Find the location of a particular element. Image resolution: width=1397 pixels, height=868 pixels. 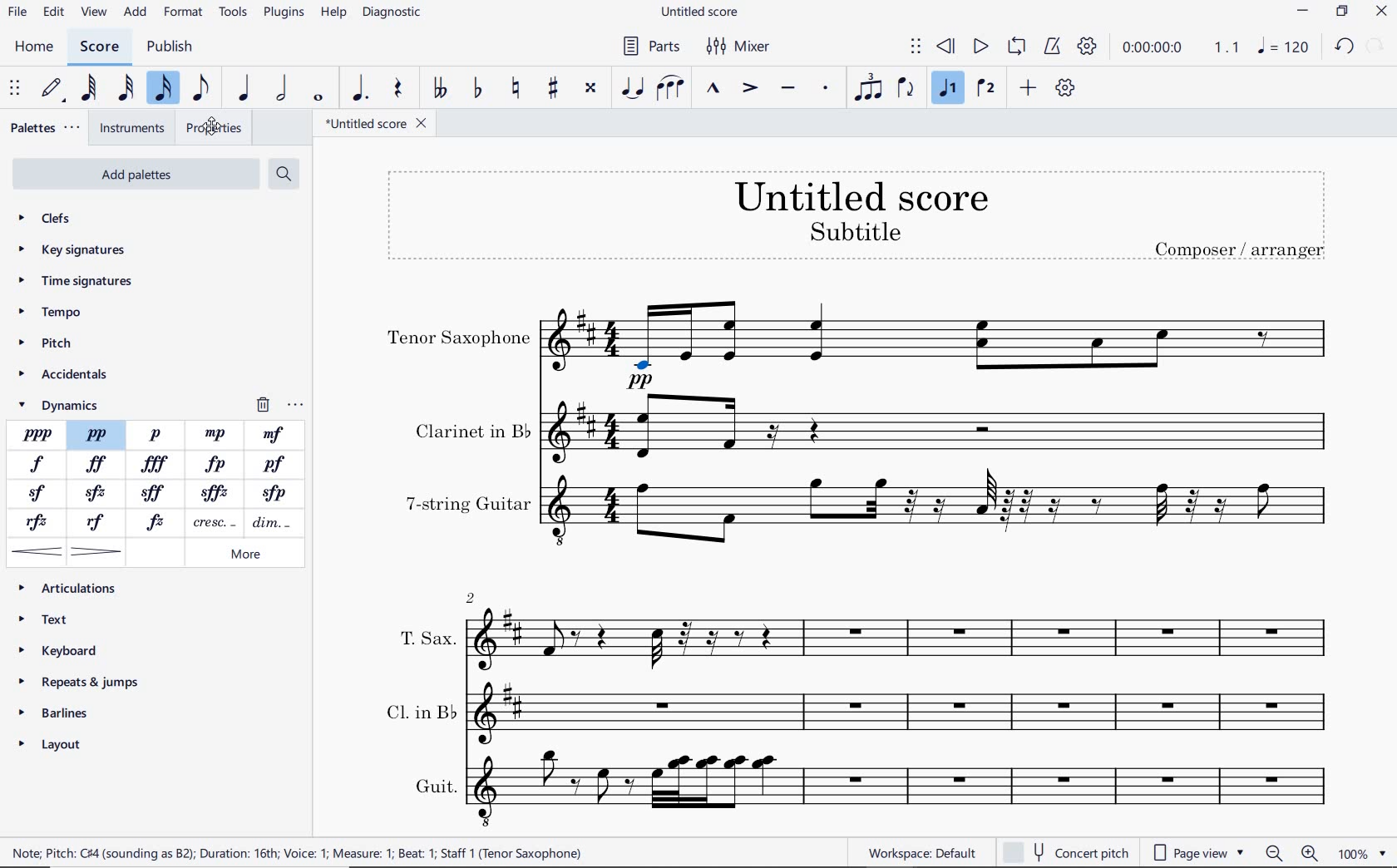

page view is located at coordinates (1202, 851).